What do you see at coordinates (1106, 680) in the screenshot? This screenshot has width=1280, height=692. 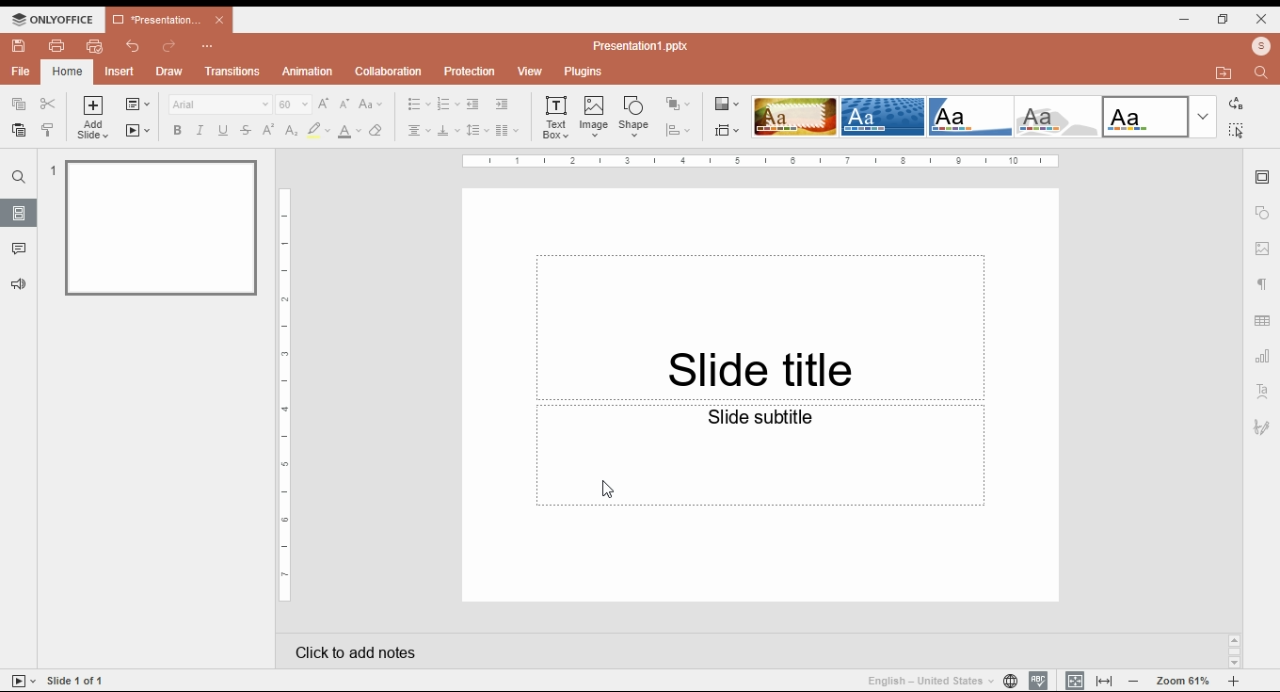 I see `fit to window` at bounding box center [1106, 680].